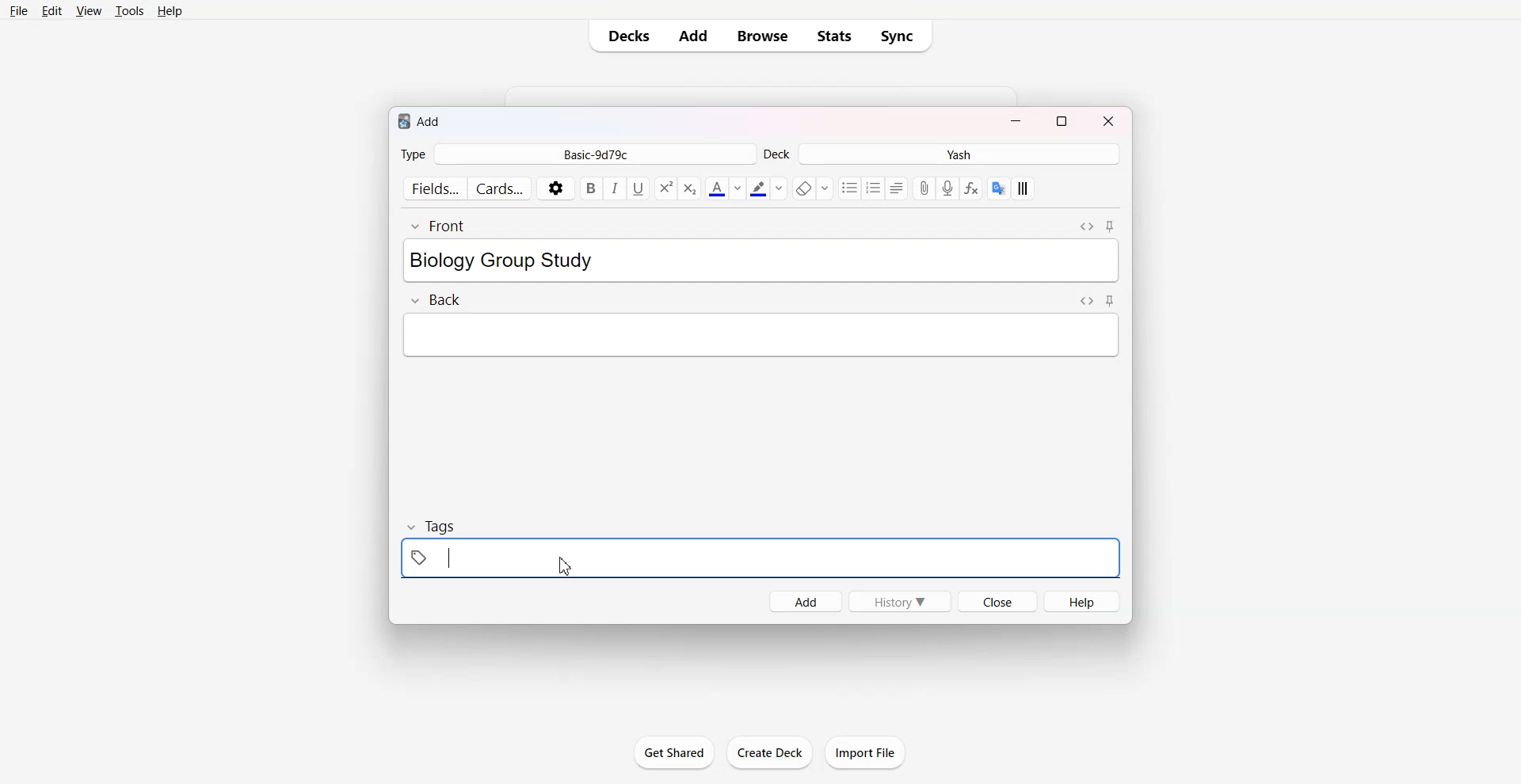  What do you see at coordinates (1109, 226) in the screenshot?
I see `Toggle Sticky` at bounding box center [1109, 226].